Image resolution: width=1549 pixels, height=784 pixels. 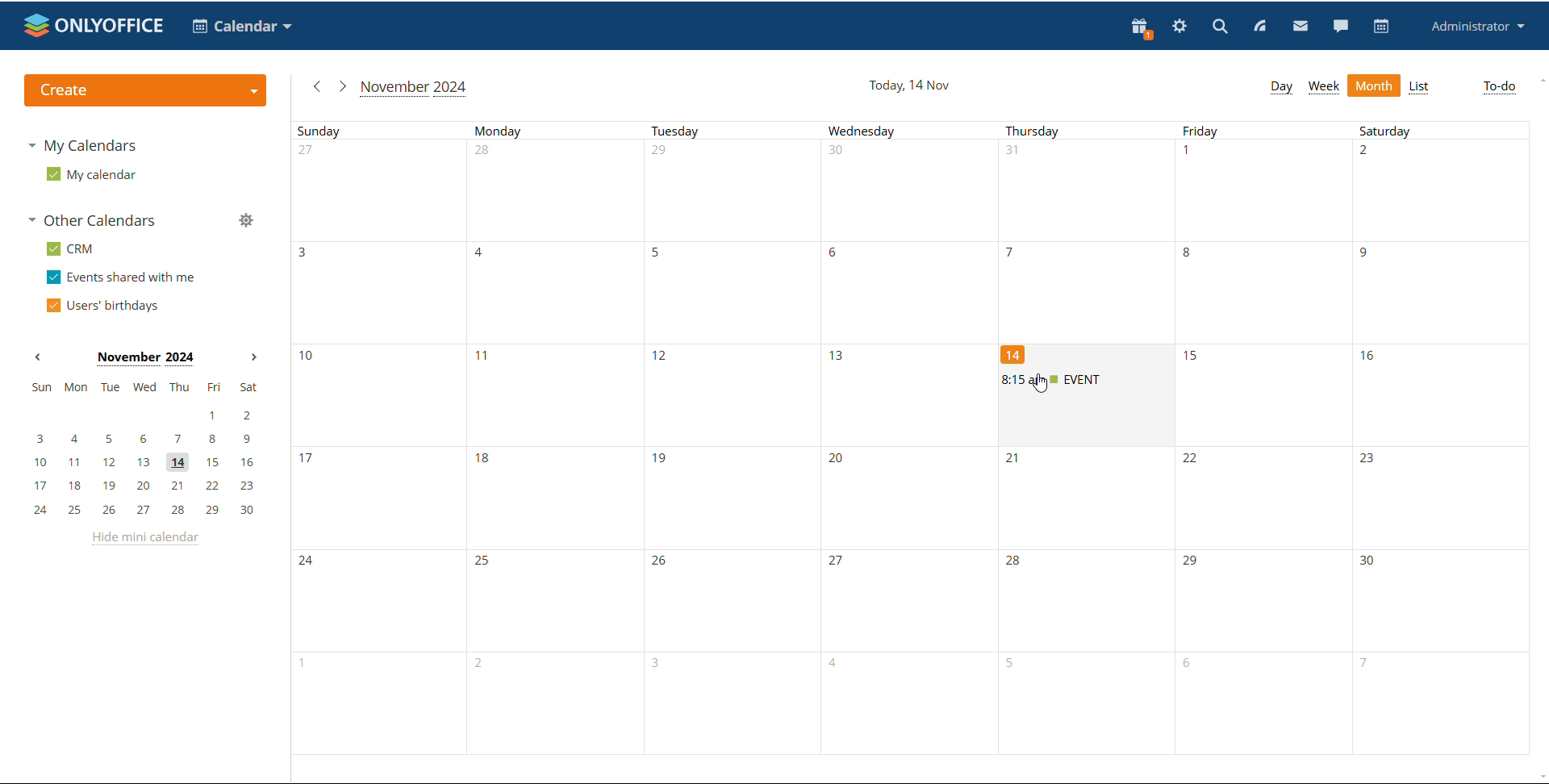 I want to click on cursor, so click(x=1039, y=384).